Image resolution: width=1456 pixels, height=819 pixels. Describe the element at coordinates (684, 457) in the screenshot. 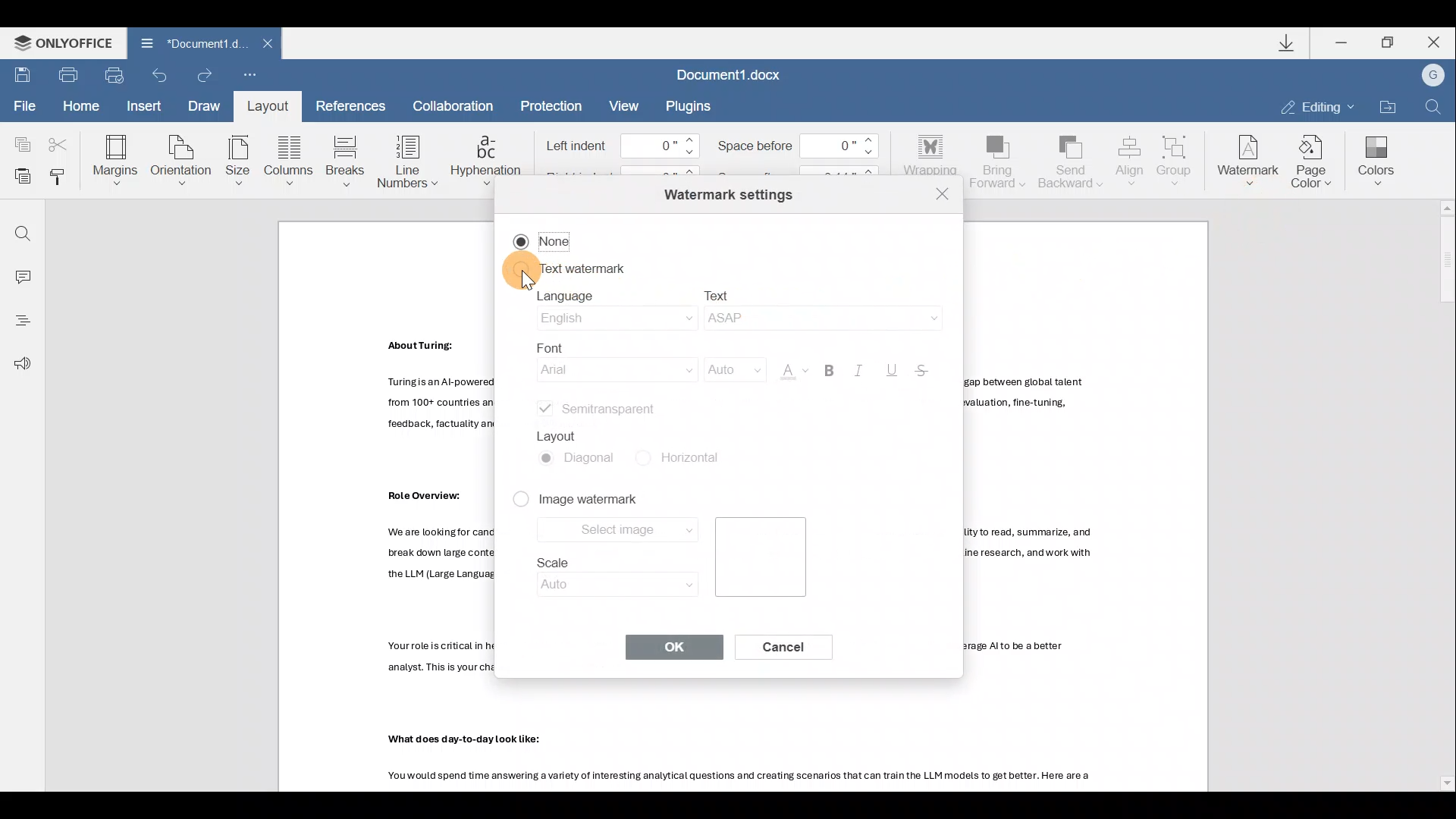

I see `Horizontal` at that location.